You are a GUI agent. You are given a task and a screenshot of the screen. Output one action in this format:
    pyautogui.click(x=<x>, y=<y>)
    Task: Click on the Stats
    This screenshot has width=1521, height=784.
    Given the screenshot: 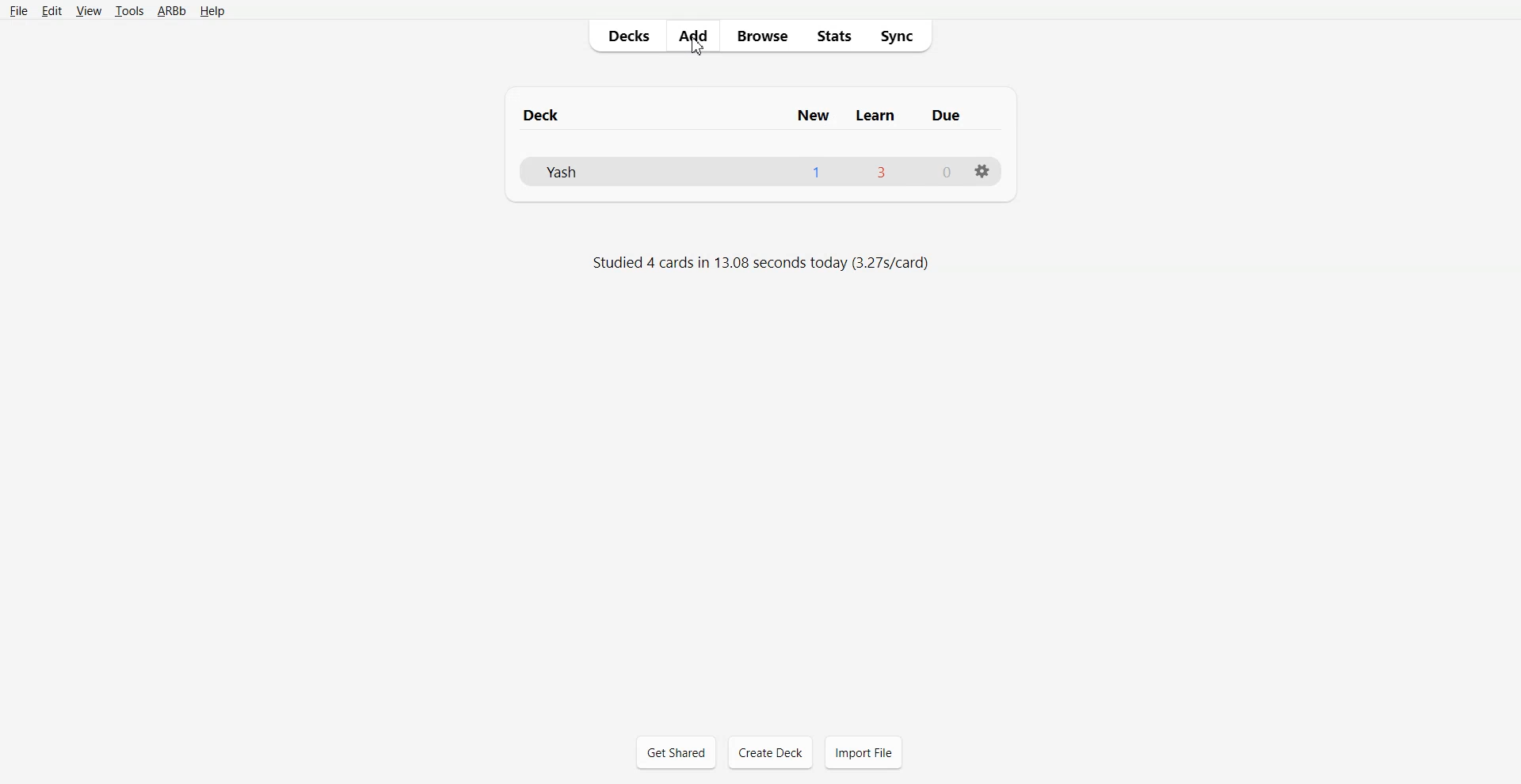 What is the action you would take?
    pyautogui.click(x=833, y=36)
    